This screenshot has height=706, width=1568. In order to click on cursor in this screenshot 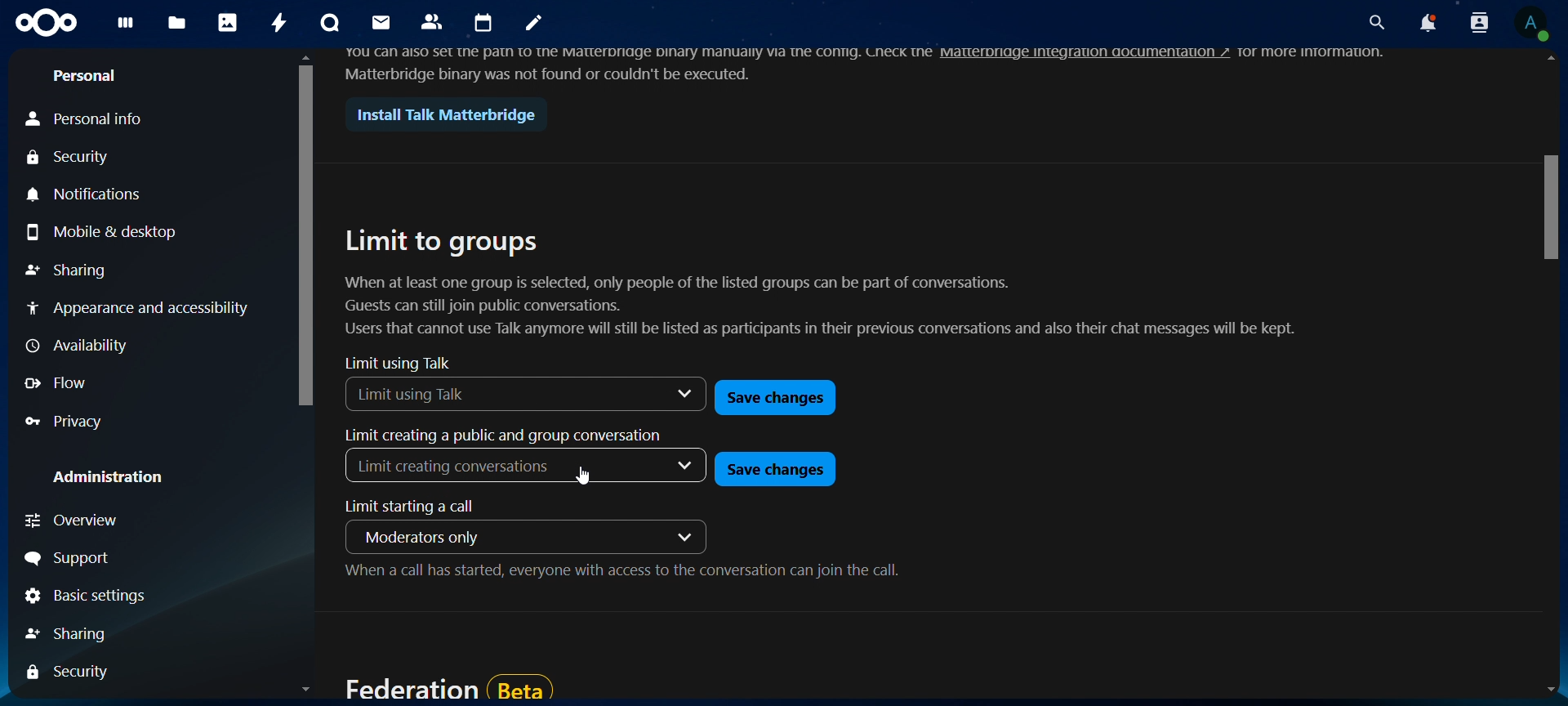, I will do `click(578, 475)`.